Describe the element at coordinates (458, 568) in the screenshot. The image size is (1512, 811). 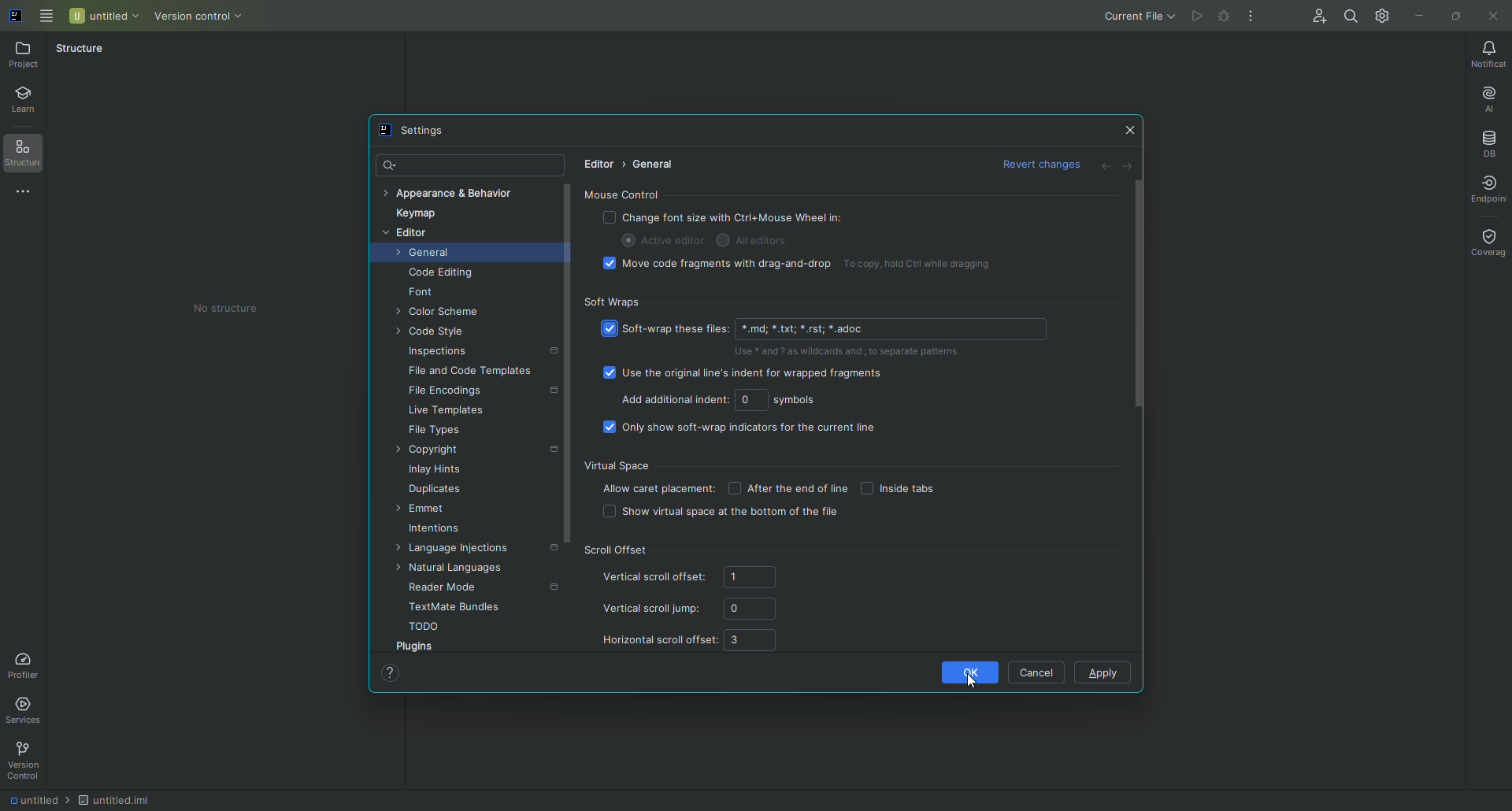
I see `Natural Languages` at that location.